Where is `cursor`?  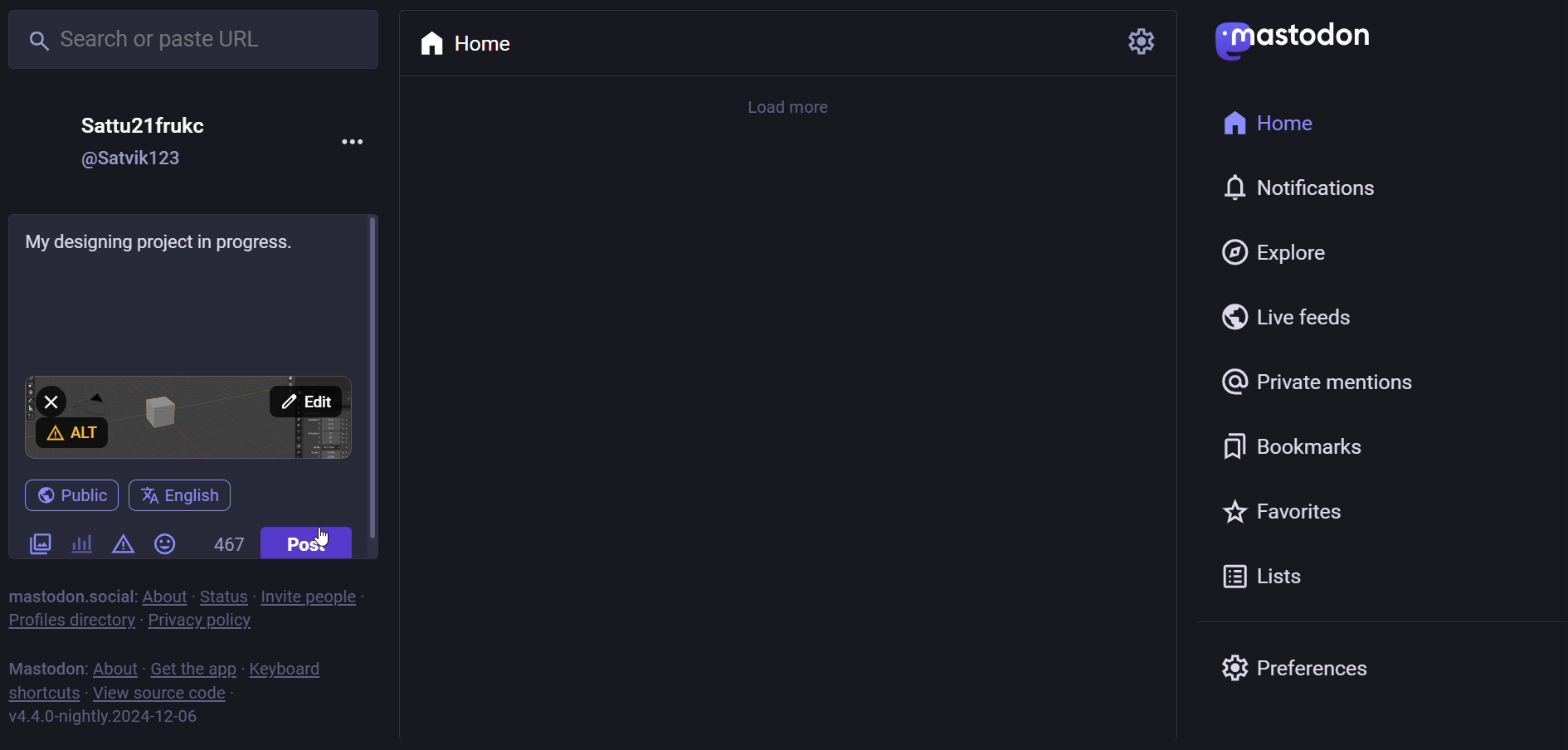 cursor is located at coordinates (328, 533).